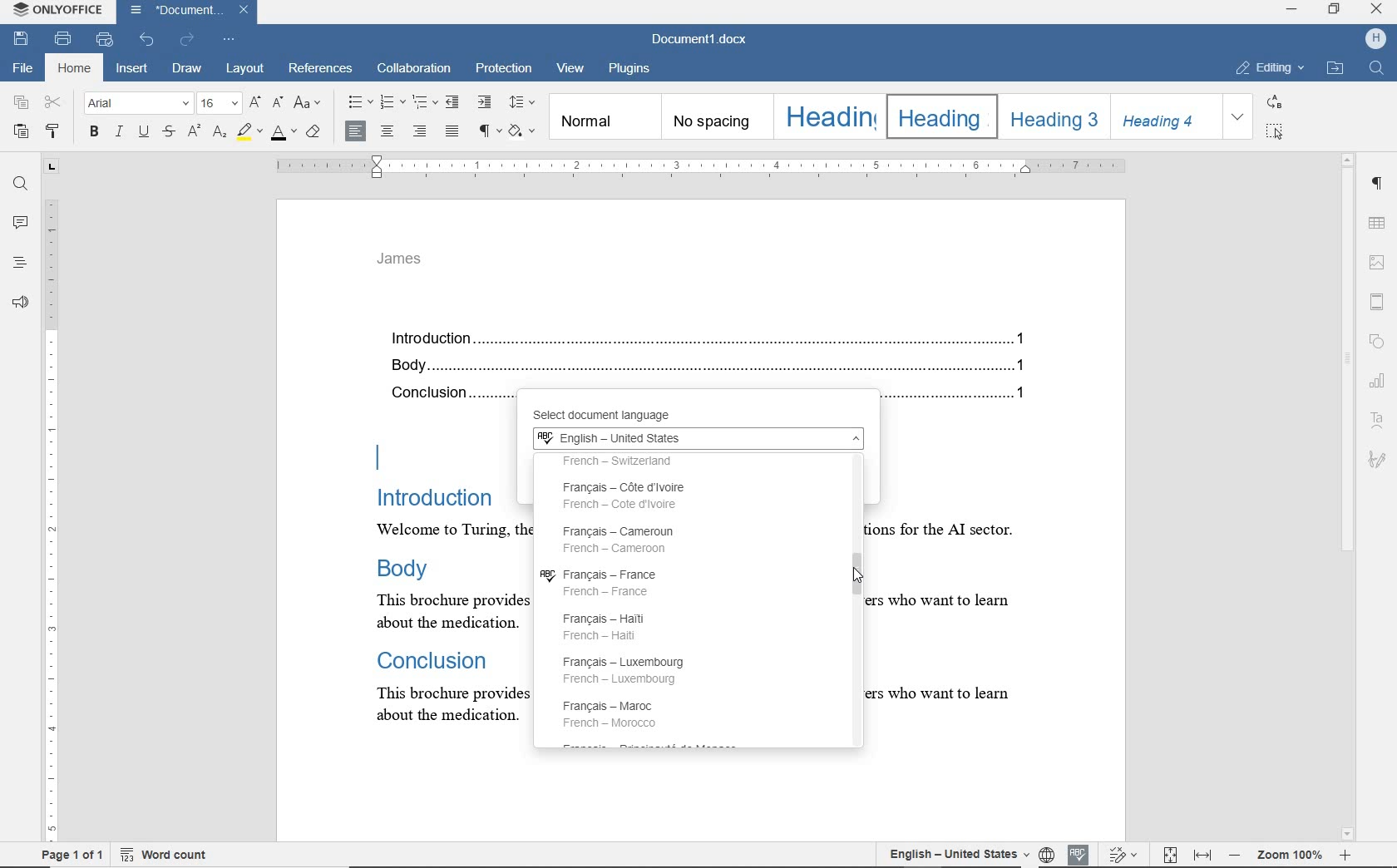  Describe the element at coordinates (229, 38) in the screenshot. I see `customize quick access toolbar` at that location.